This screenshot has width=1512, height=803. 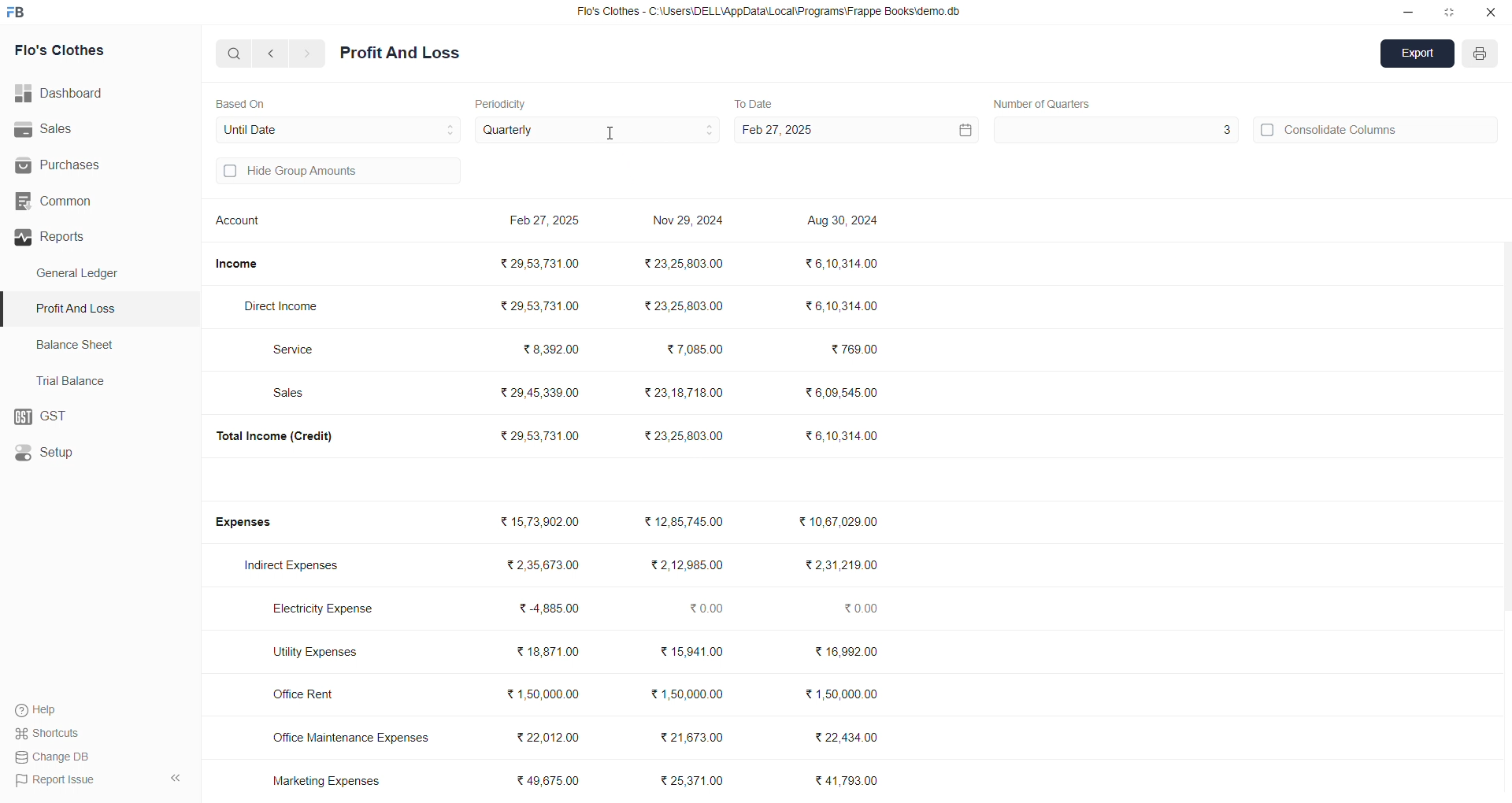 What do you see at coordinates (540, 522) in the screenshot?
I see `₹15,73,902.00` at bounding box center [540, 522].